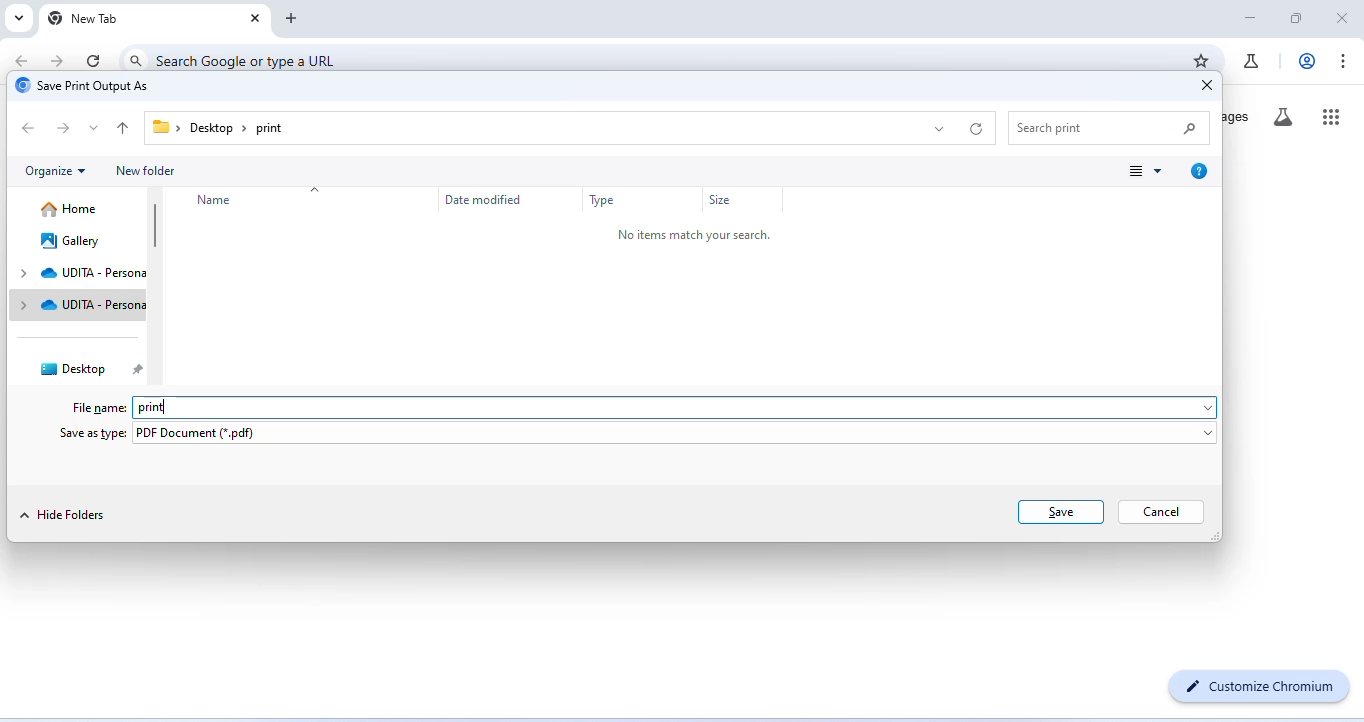  Describe the element at coordinates (137, 61) in the screenshot. I see `search icon` at that location.